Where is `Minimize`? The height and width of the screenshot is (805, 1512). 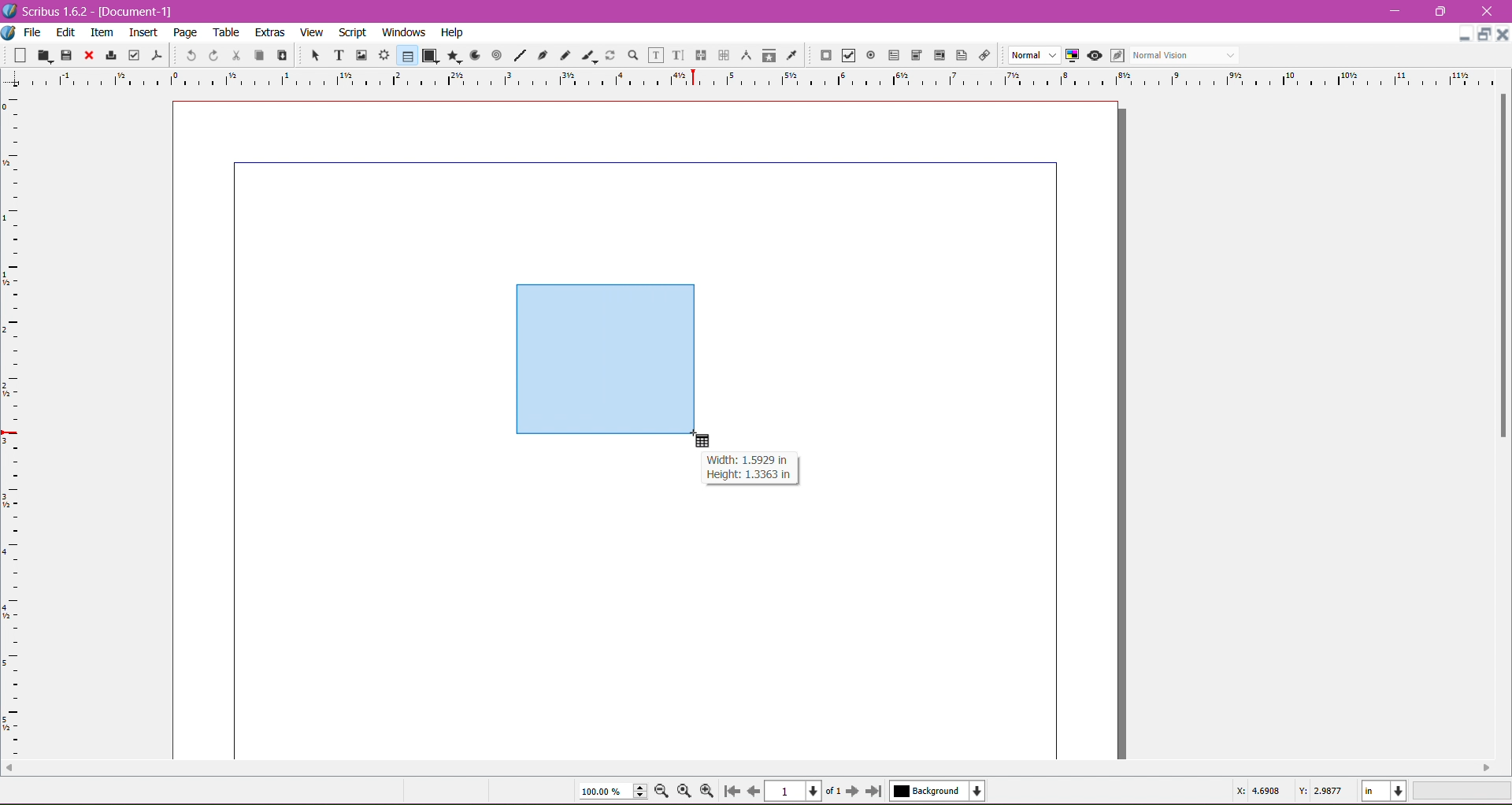 Minimize is located at coordinates (1399, 9).